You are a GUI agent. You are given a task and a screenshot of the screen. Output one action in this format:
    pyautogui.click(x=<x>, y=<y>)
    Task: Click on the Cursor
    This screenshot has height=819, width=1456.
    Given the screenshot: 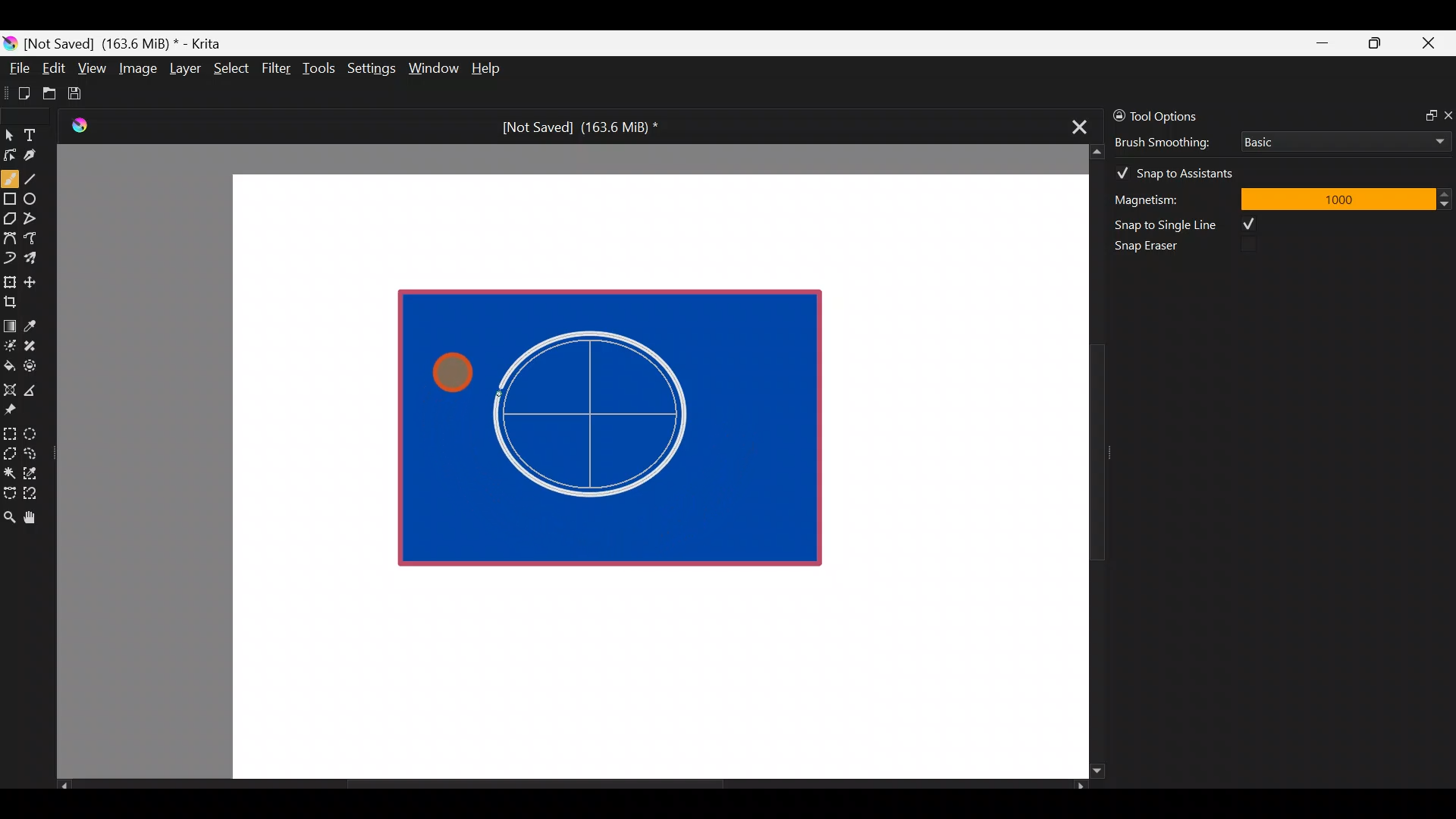 What is the action you would take?
    pyautogui.click(x=453, y=369)
    